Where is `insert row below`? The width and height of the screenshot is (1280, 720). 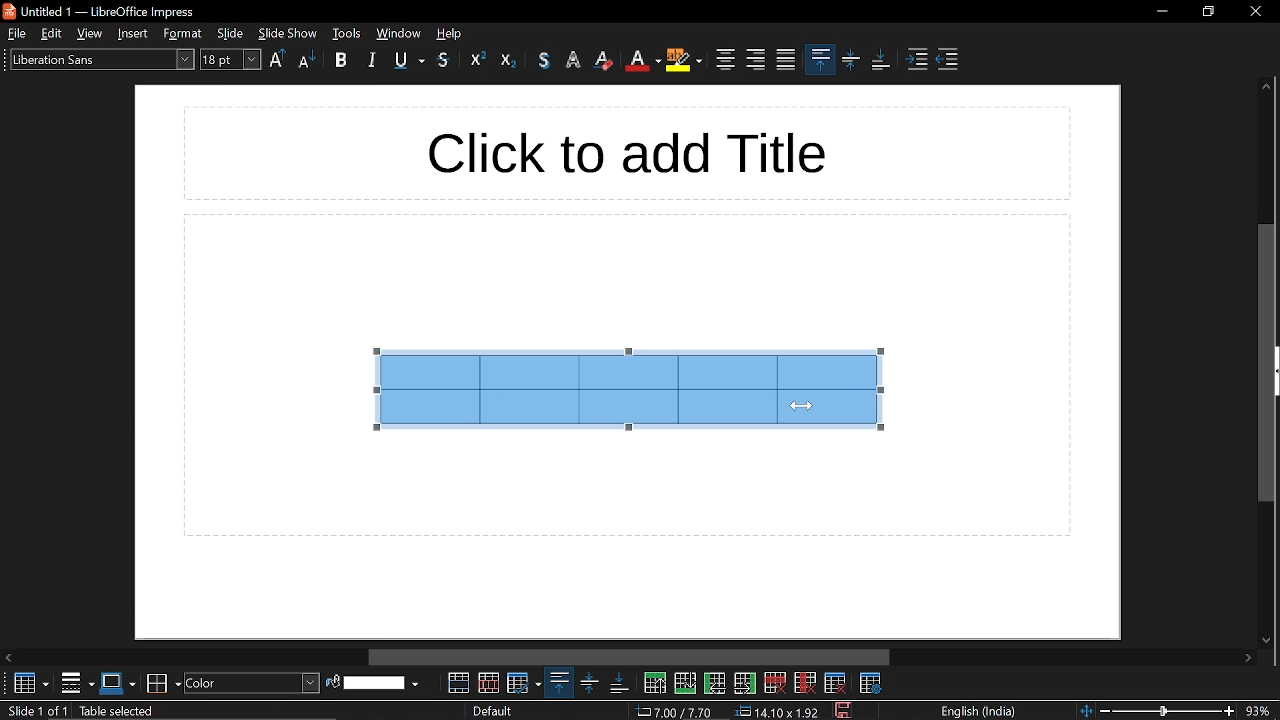
insert row below is located at coordinates (686, 682).